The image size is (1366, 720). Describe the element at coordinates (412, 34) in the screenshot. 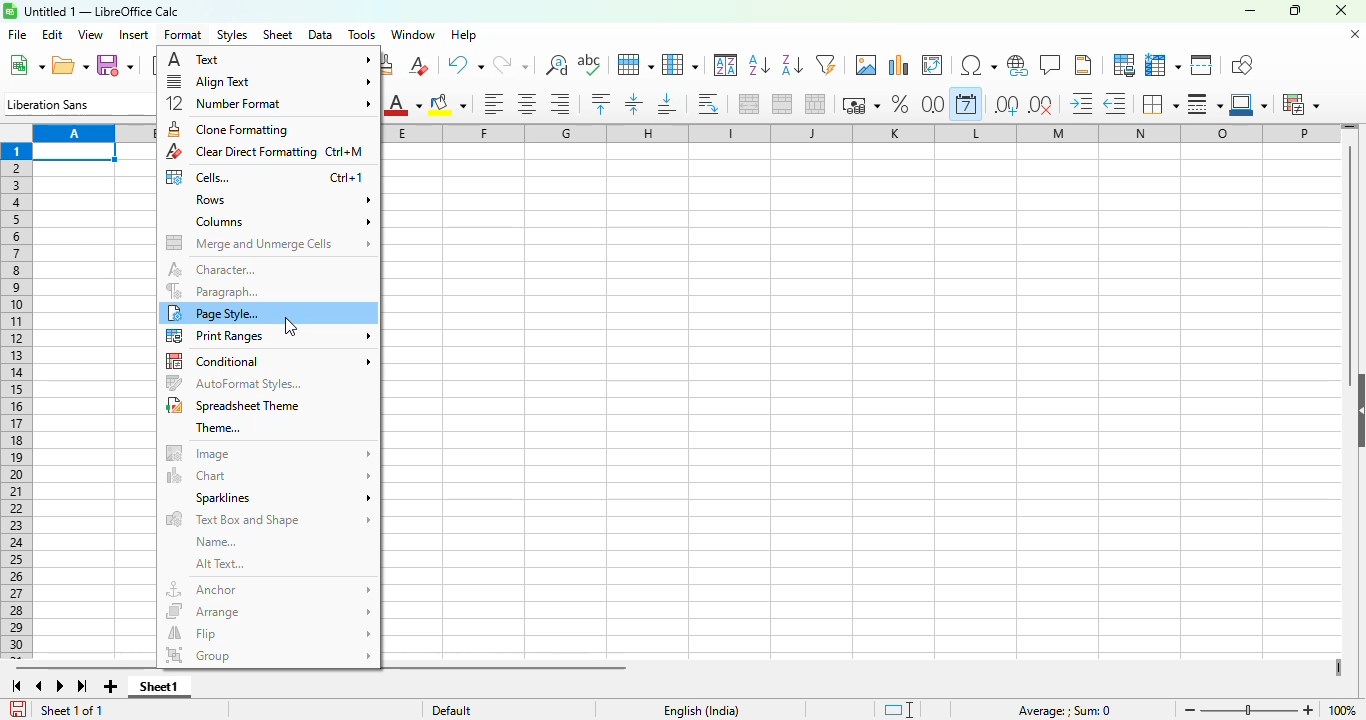

I see `window` at that location.